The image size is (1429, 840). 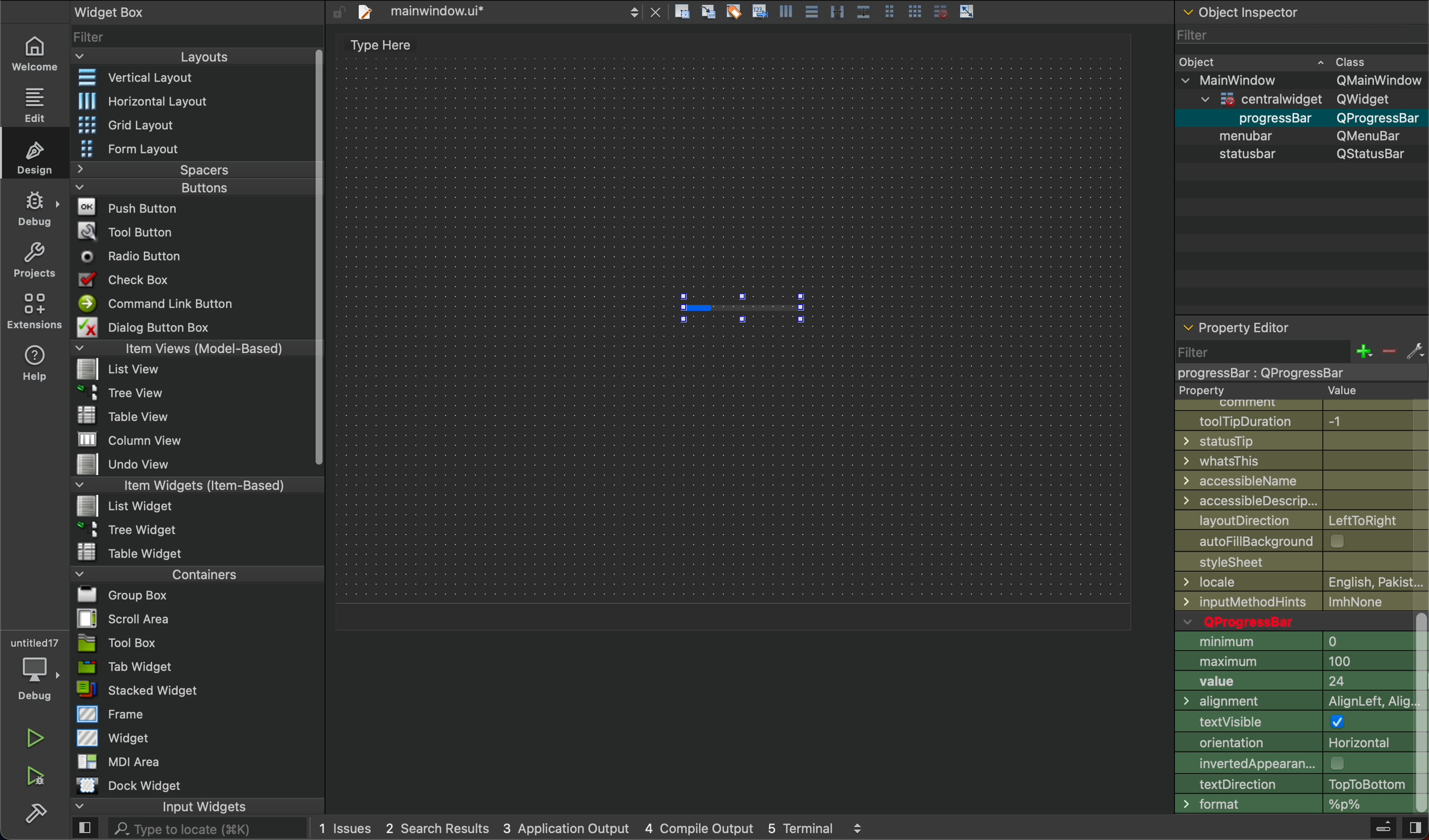 I want to click on Radio Button, so click(x=136, y=256).